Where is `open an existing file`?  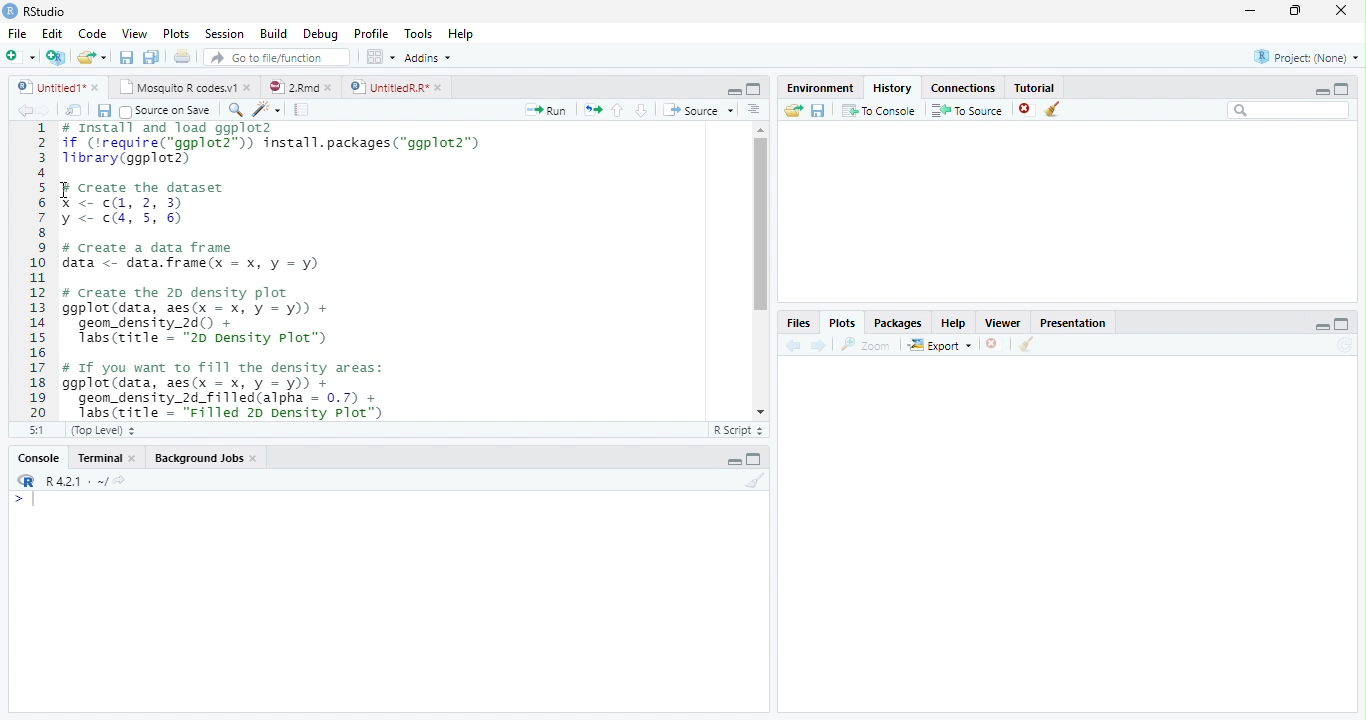
open an existing file is located at coordinates (90, 57).